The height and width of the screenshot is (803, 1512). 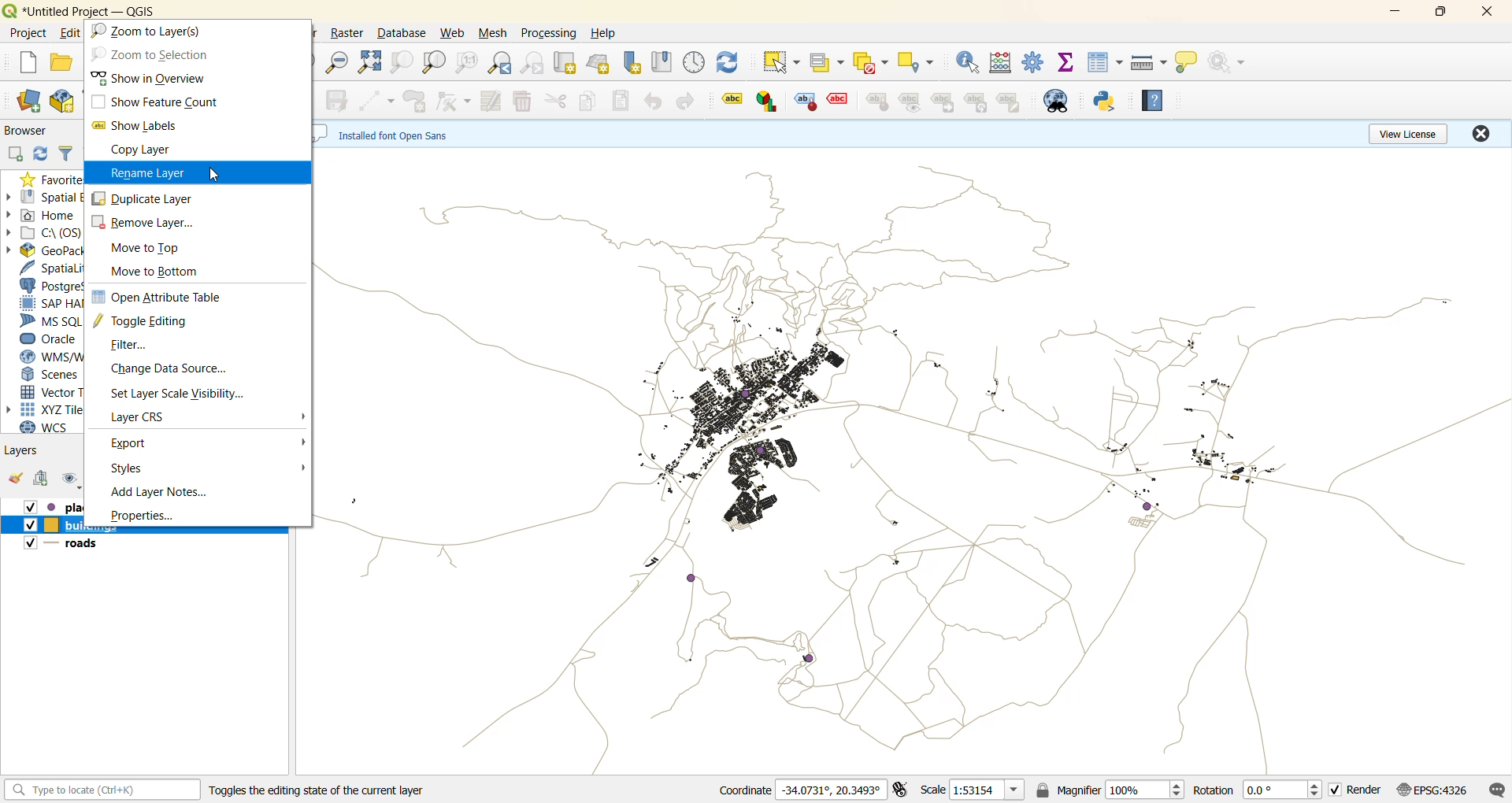 I want to click on open data source manager, so click(x=29, y=102).